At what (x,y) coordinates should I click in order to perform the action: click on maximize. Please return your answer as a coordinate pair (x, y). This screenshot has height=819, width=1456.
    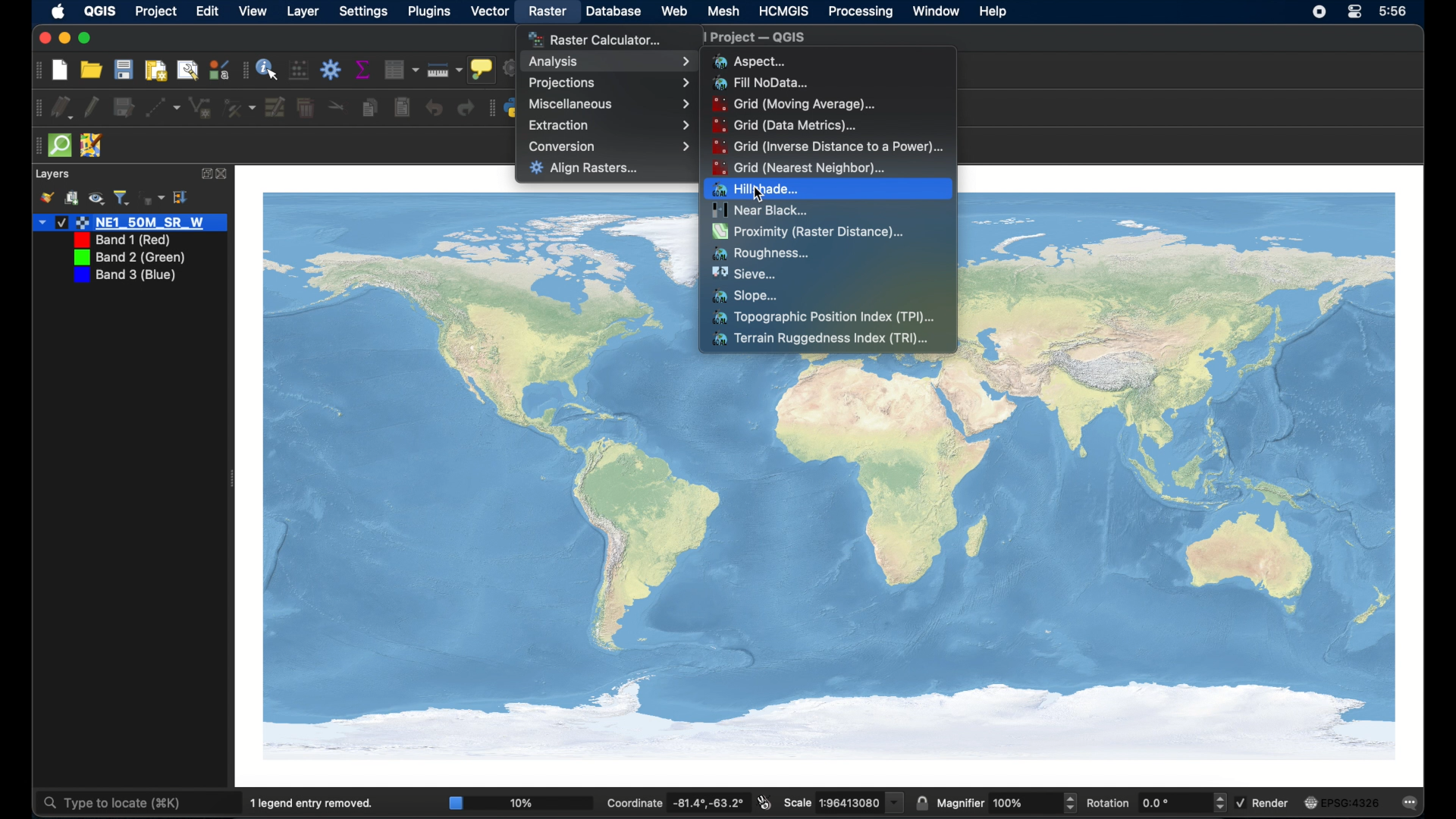
    Looking at the image, I should click on (86, 39).